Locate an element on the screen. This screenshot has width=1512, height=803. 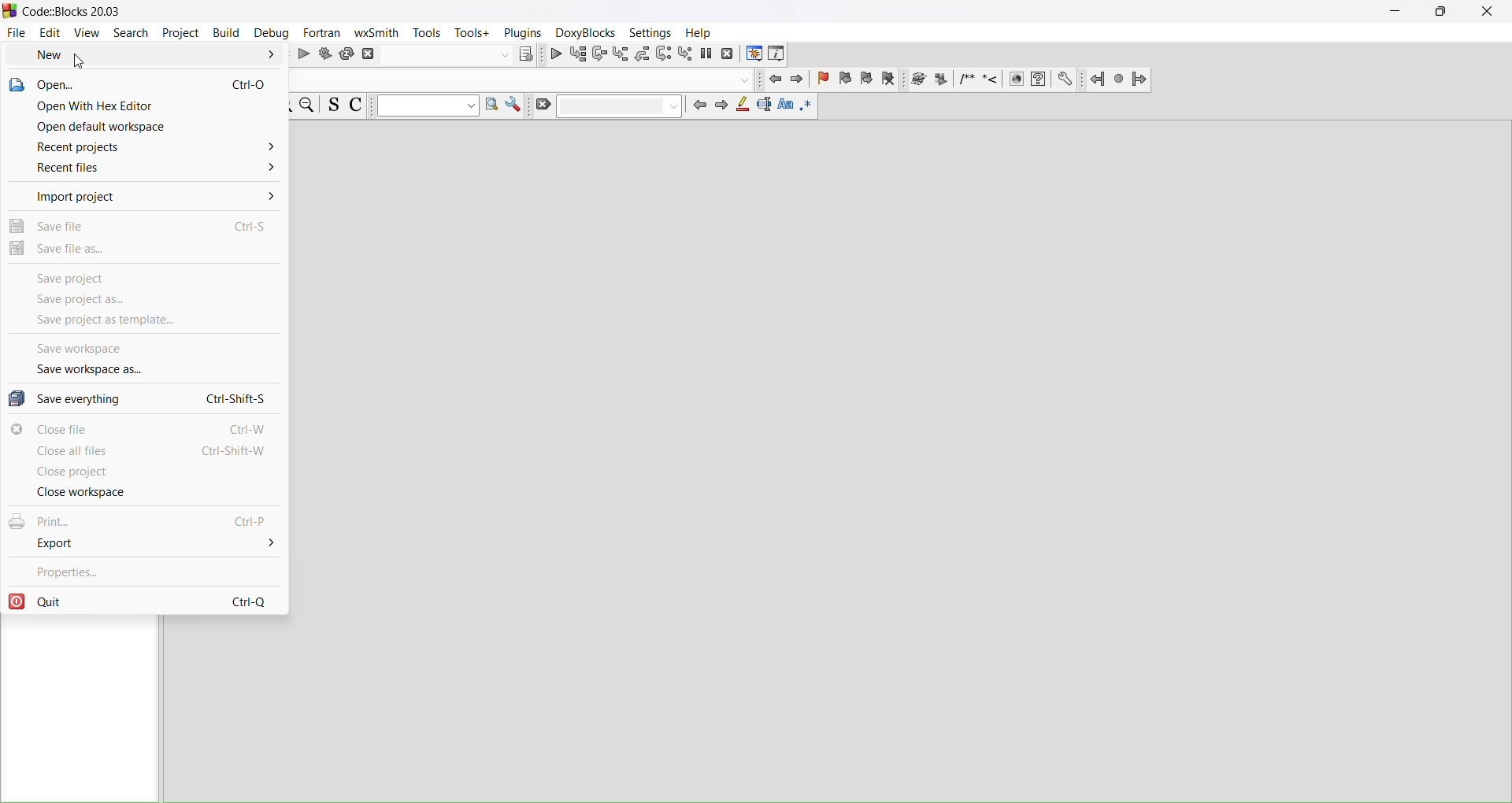
import project is located at coordinates (144, 197).